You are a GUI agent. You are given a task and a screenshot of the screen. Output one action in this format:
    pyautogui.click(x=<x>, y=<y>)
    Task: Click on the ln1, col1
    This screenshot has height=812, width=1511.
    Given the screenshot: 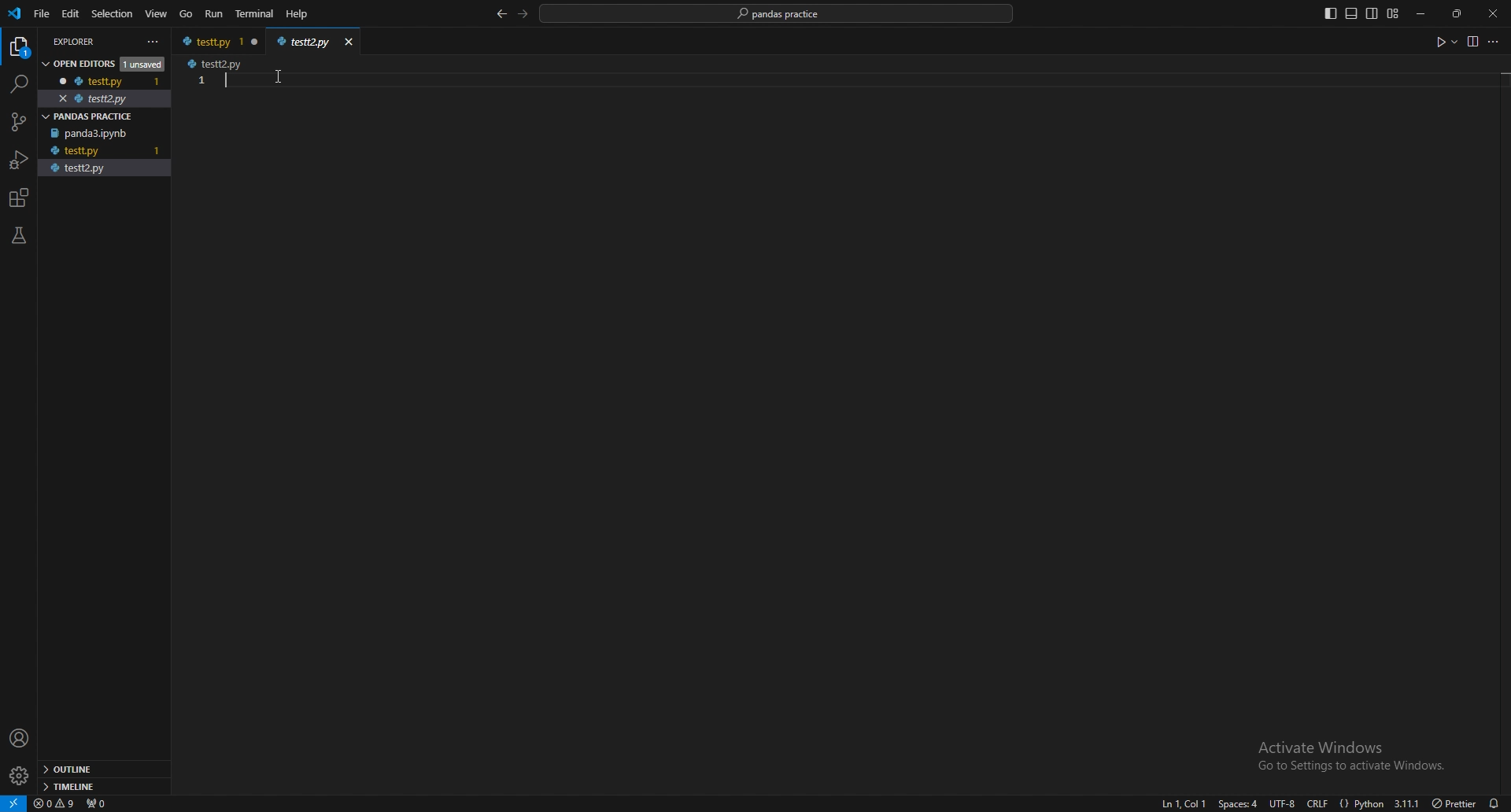 What is the action you would take?
    pyautogui.click(x=1177, y=804)
    